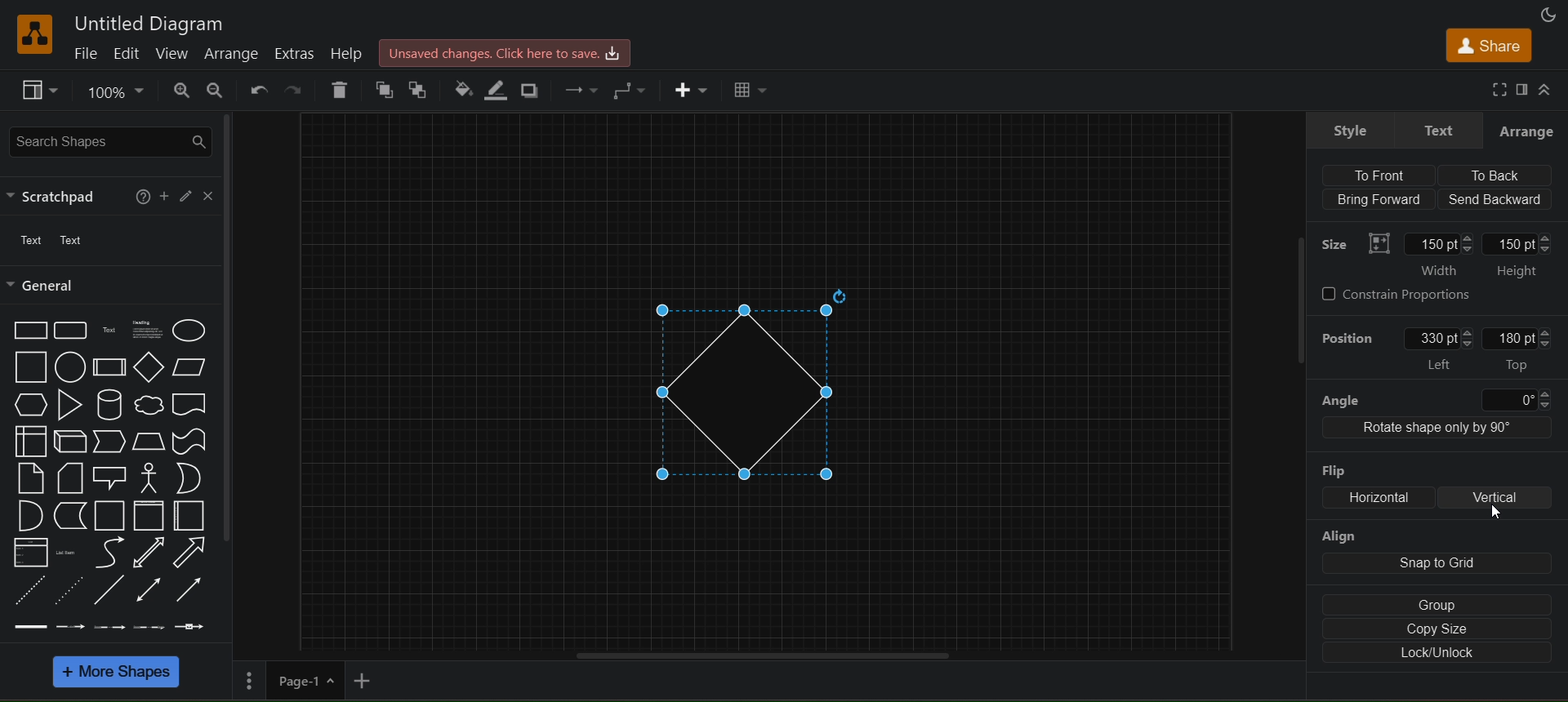  I want to click on parallelogram, so click(186, 367).